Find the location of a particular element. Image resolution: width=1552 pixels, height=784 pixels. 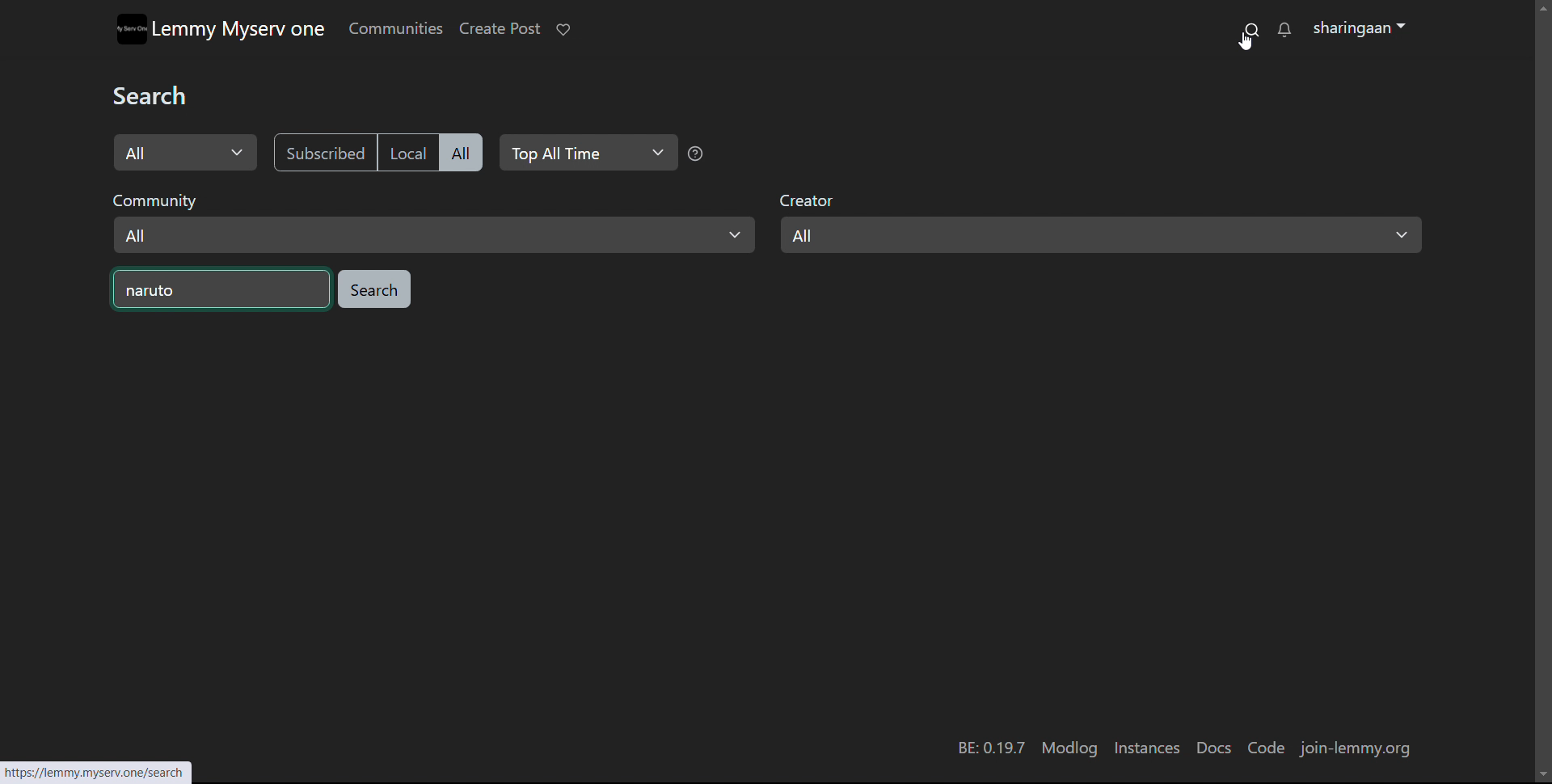

docs is located at coordinates (1213, 748).